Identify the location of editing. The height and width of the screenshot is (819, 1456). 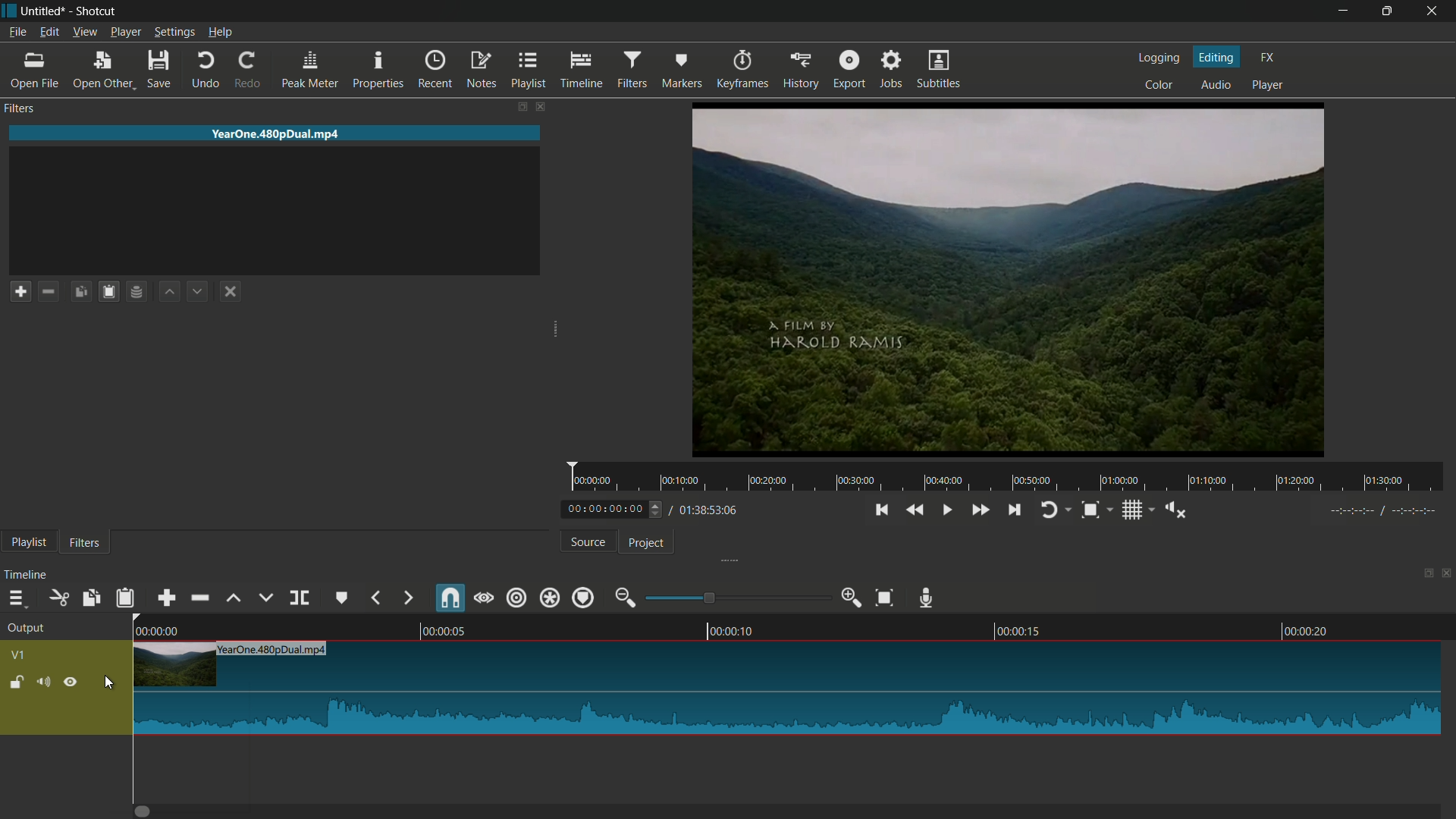
(1217, 57).